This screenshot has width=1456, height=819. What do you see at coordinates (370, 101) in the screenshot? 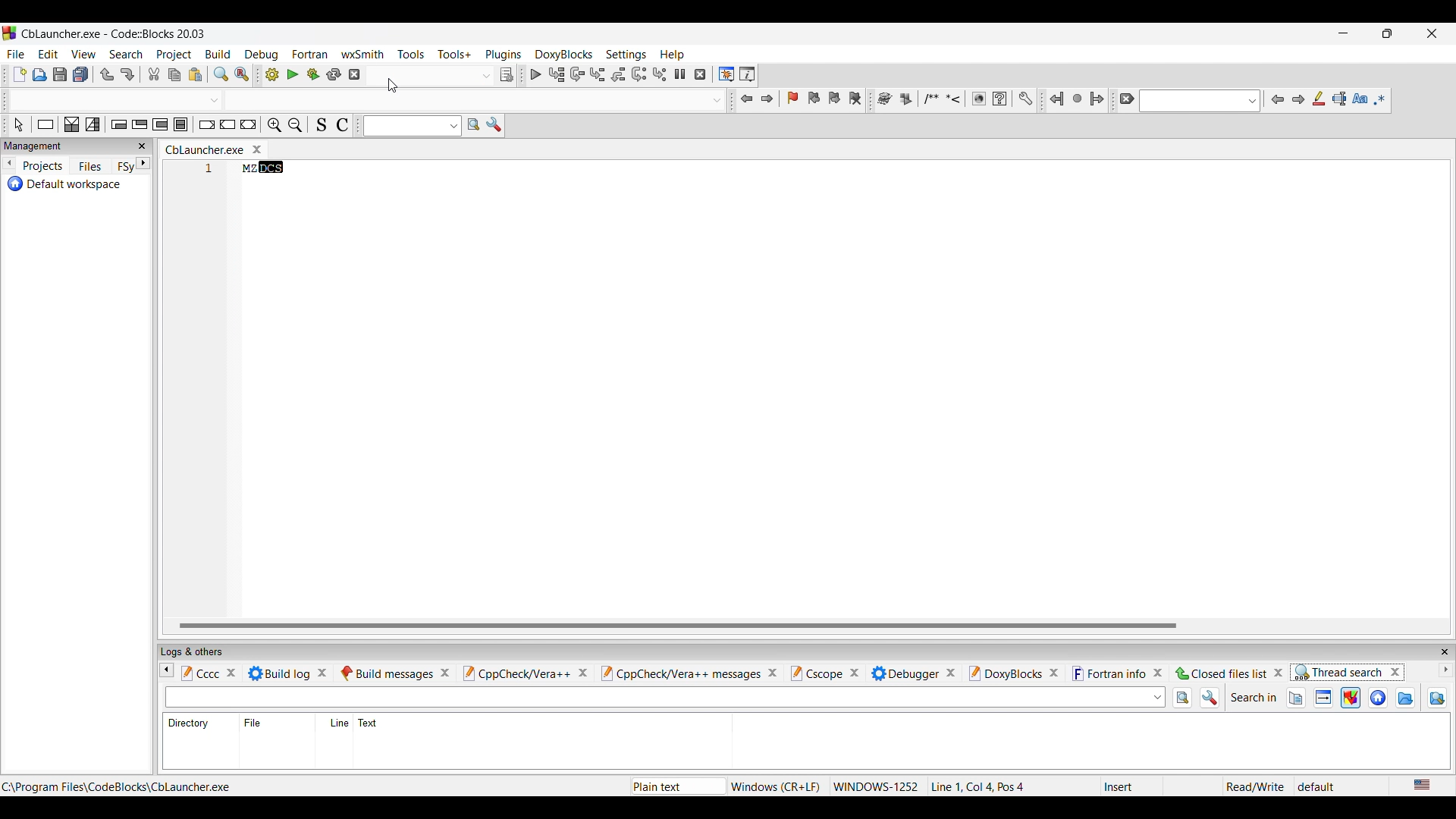
I see `Text box with options` at bounding box center [370, 101].